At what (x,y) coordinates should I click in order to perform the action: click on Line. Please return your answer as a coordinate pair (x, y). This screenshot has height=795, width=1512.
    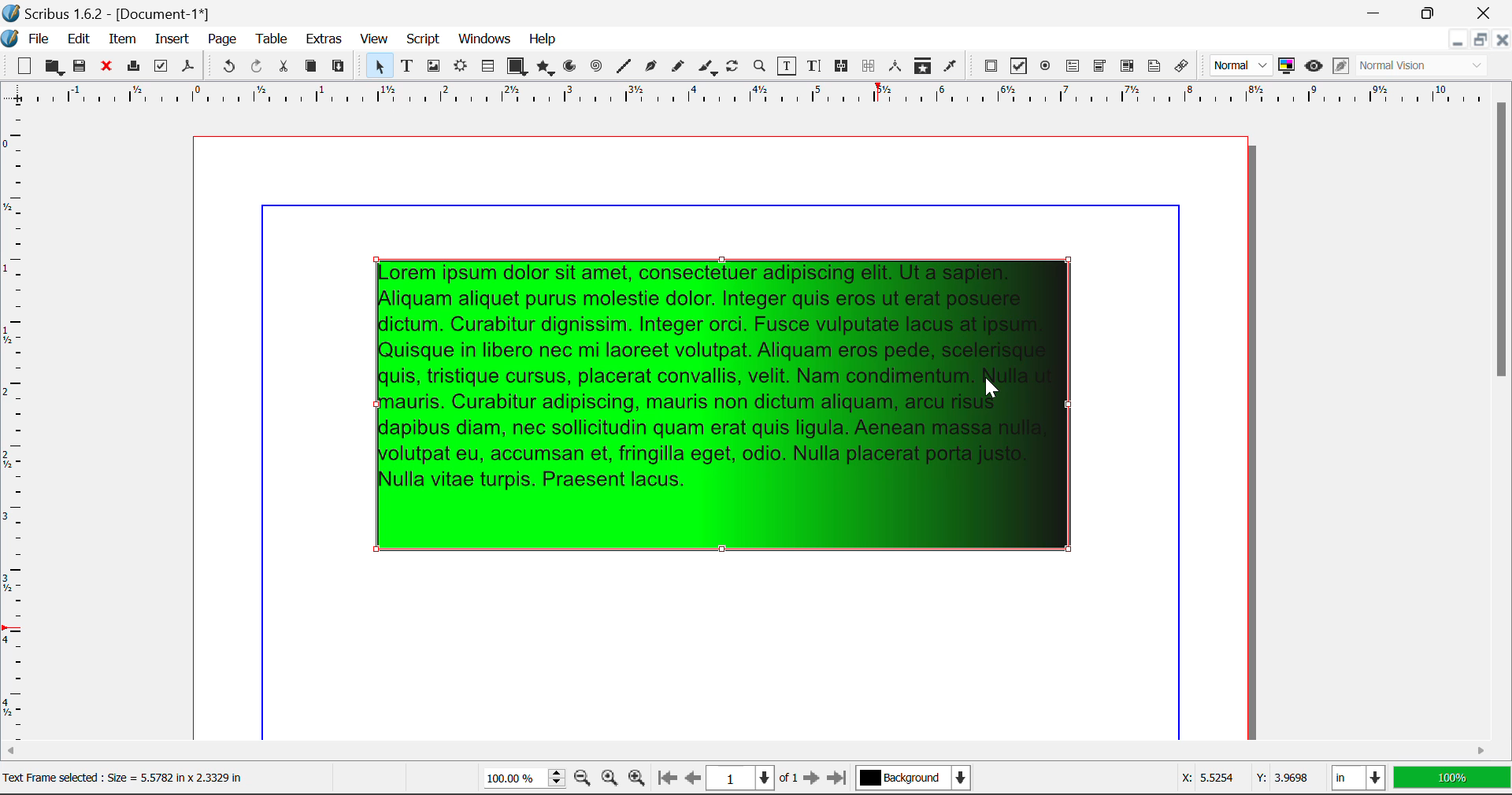
    Looking at the image, I should click on (624, 67).